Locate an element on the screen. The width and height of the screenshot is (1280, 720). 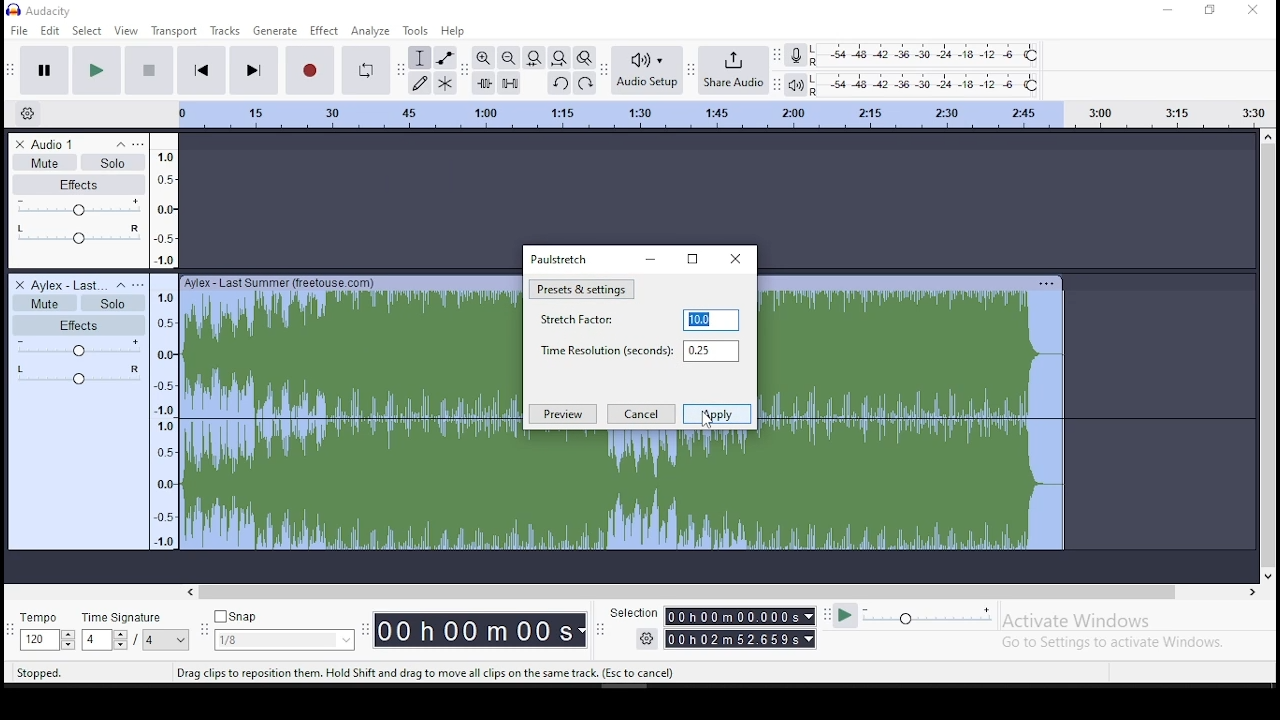
zoom toggle is located at coordinates (585, 58).